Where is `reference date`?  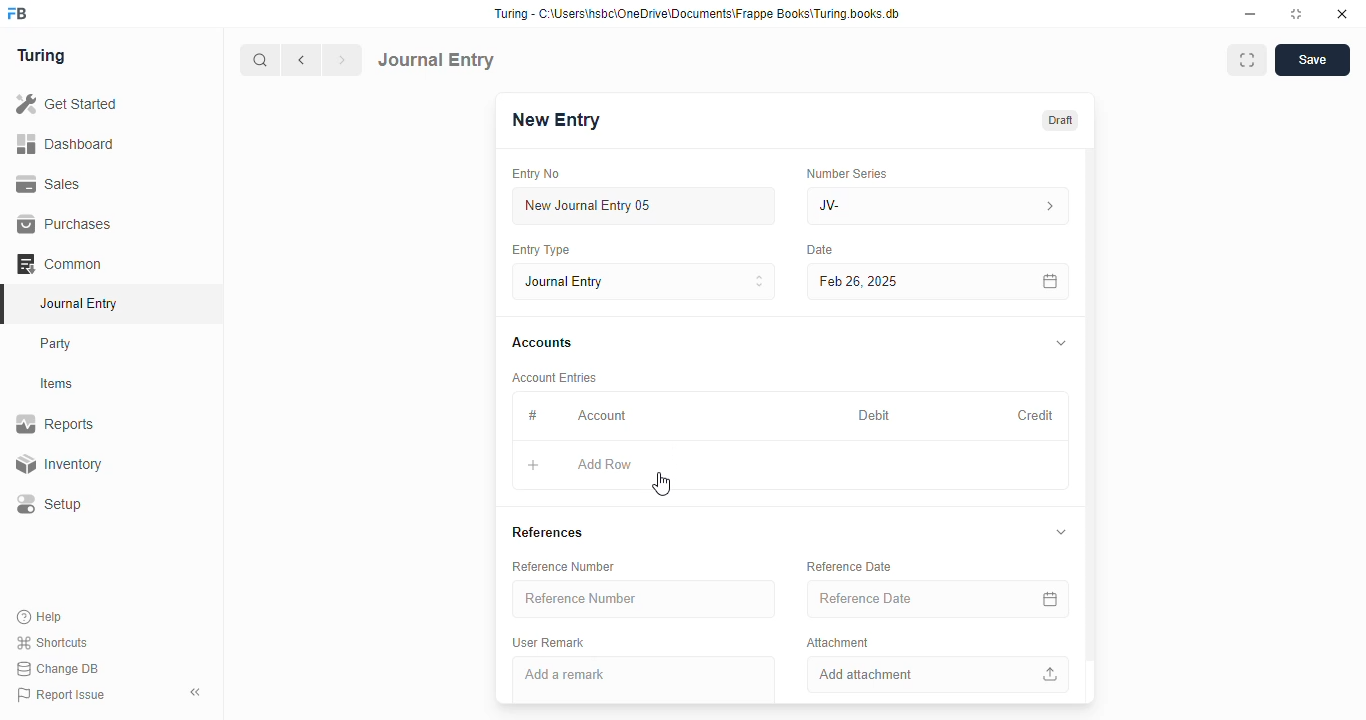
reference date is located at coordinates (850, 566).